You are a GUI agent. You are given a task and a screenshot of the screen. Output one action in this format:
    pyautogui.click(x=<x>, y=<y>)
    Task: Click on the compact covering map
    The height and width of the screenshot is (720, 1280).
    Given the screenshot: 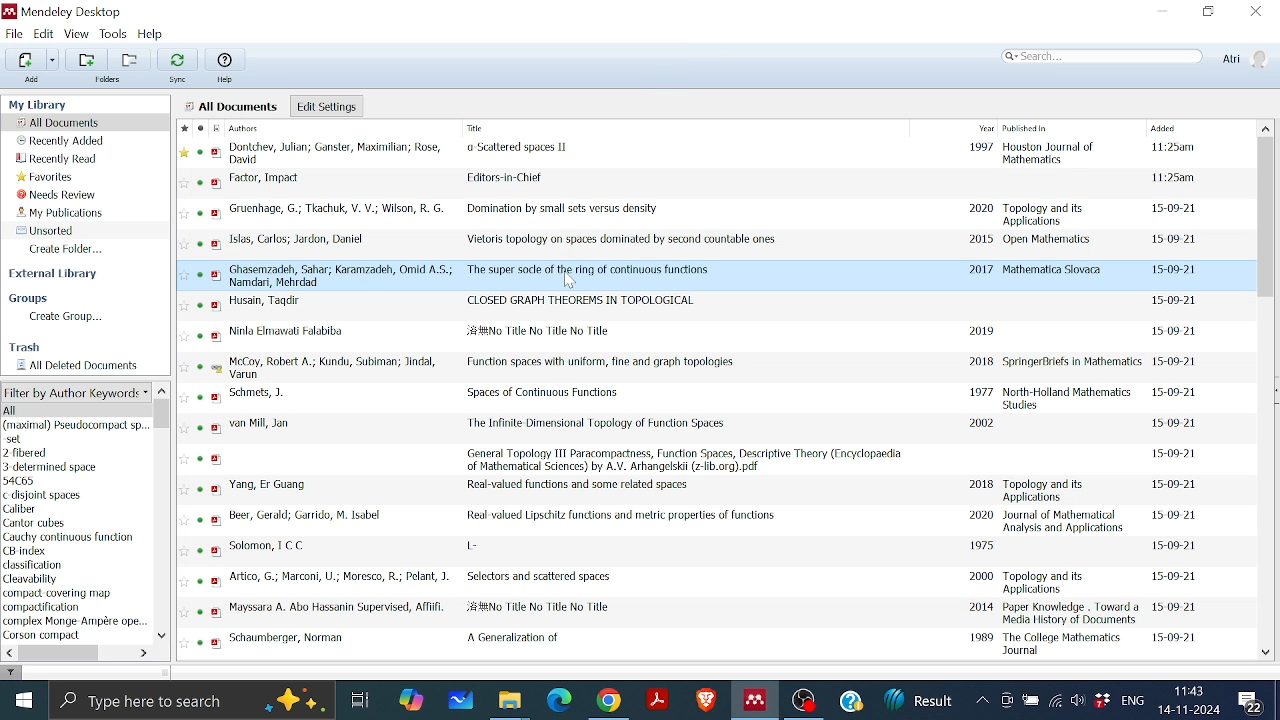 What is the action you would take?
    pyautogui.click(x=70, y=595)
    